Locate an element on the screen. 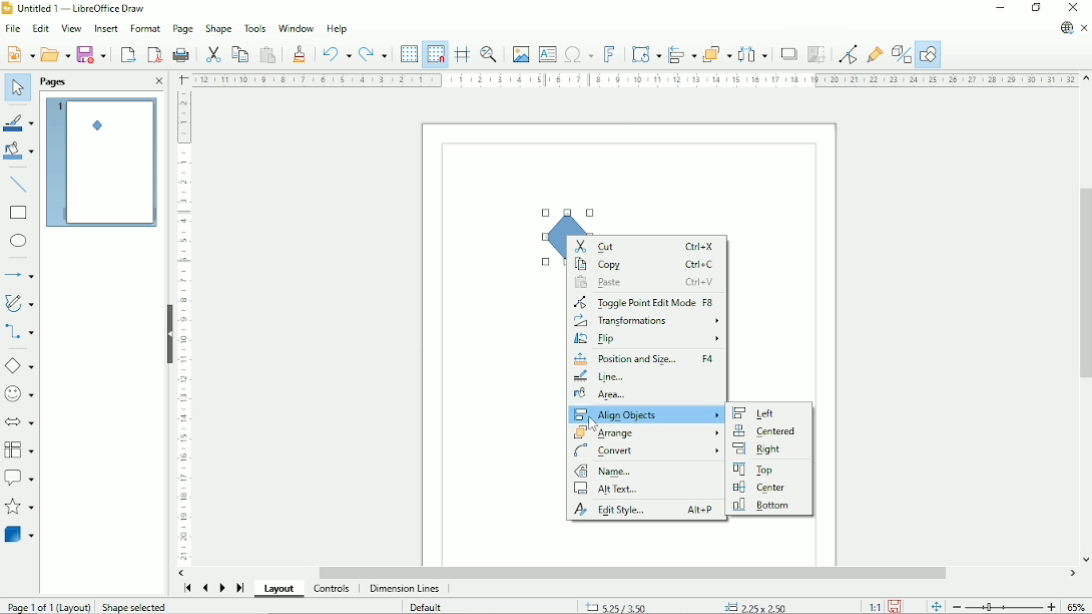 This screenshot has height=614, width=1092. Helplines while moving is located at coordinates (462, 54).